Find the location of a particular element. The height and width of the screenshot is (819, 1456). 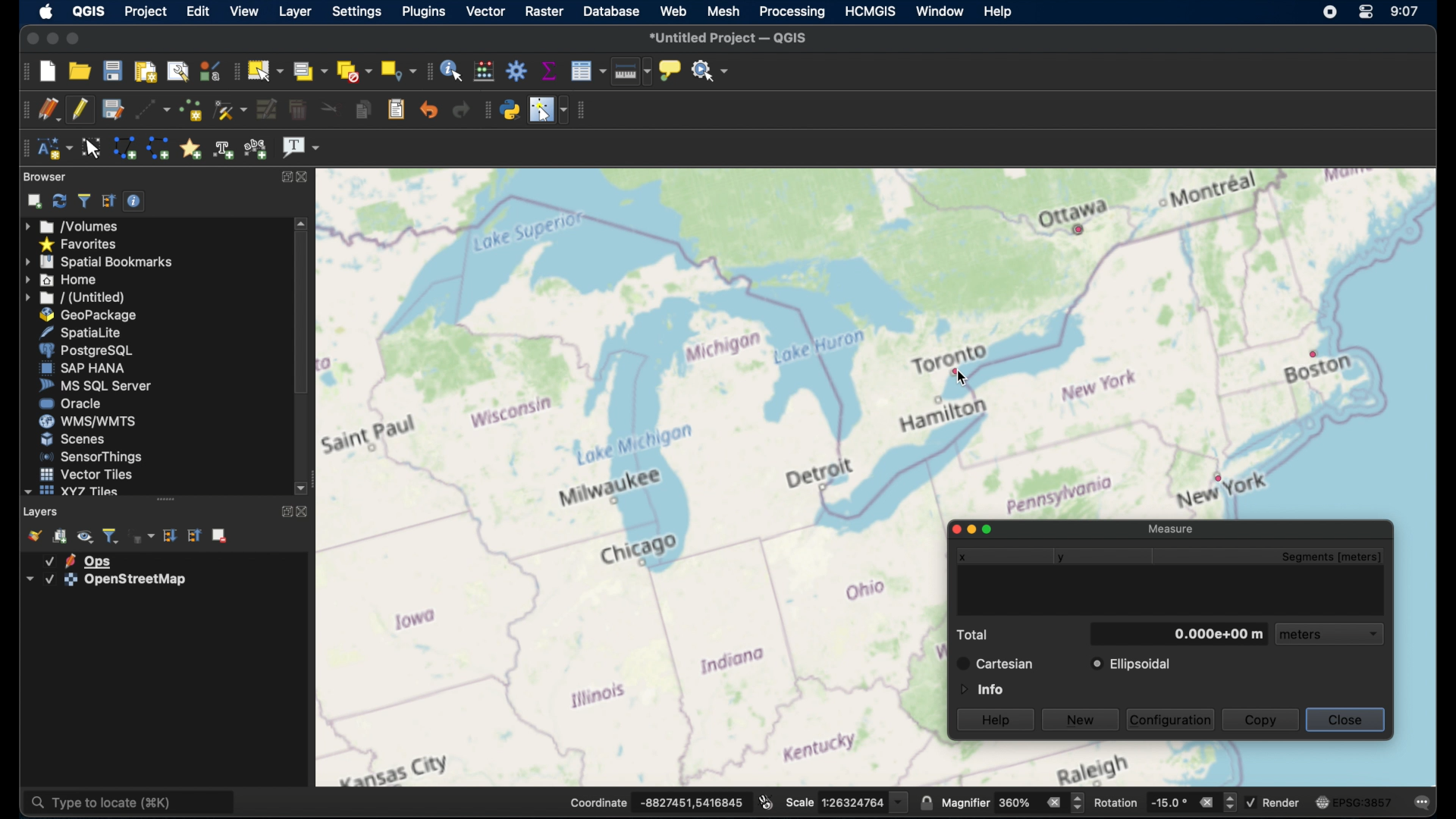

segments meters is located at coordinates (1330, 558).